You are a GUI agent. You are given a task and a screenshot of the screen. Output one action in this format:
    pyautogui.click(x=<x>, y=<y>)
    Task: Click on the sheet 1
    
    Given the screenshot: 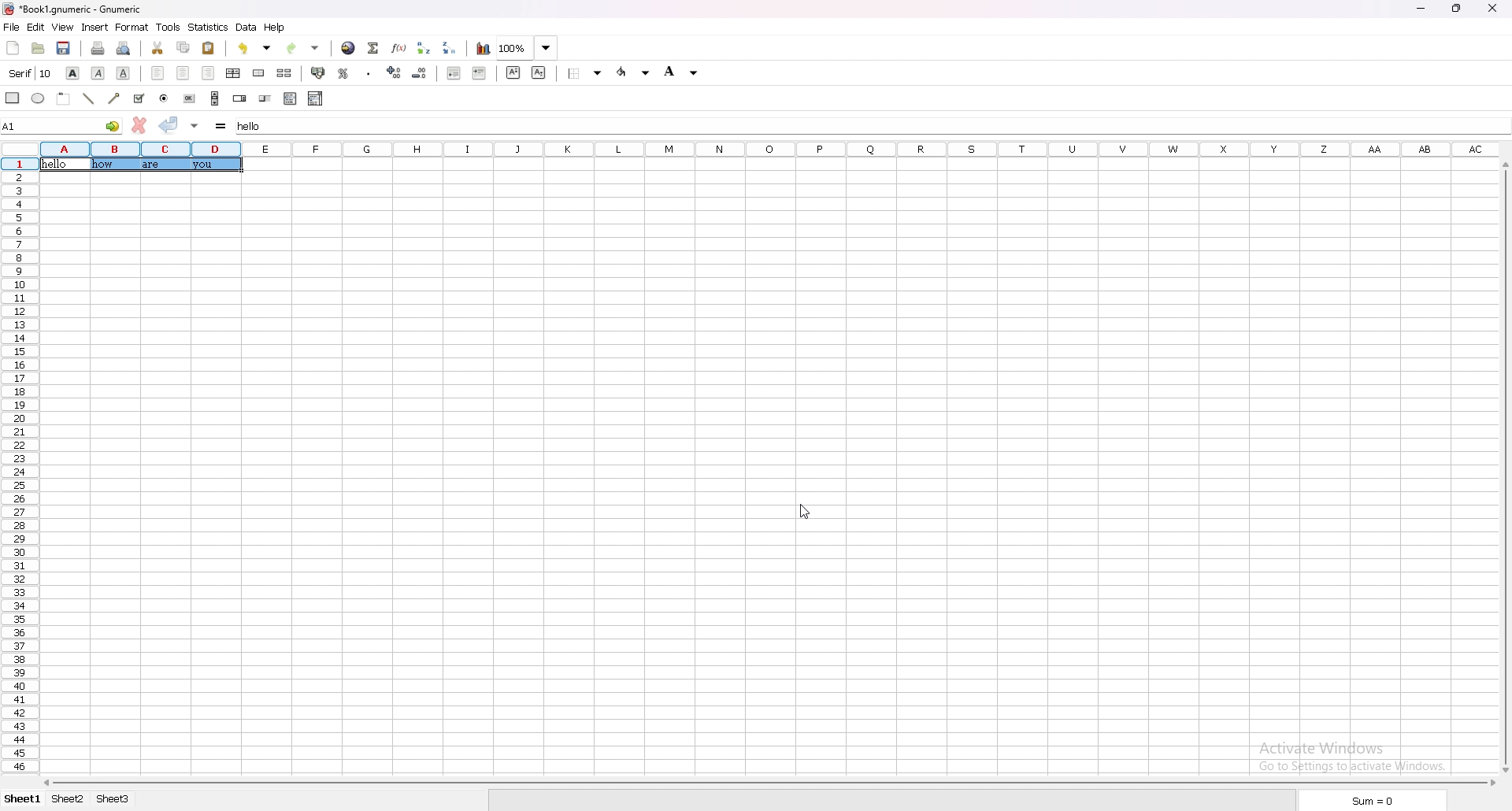 What is the action you would take?
    pyautogui.click(x=21, y=801)
    